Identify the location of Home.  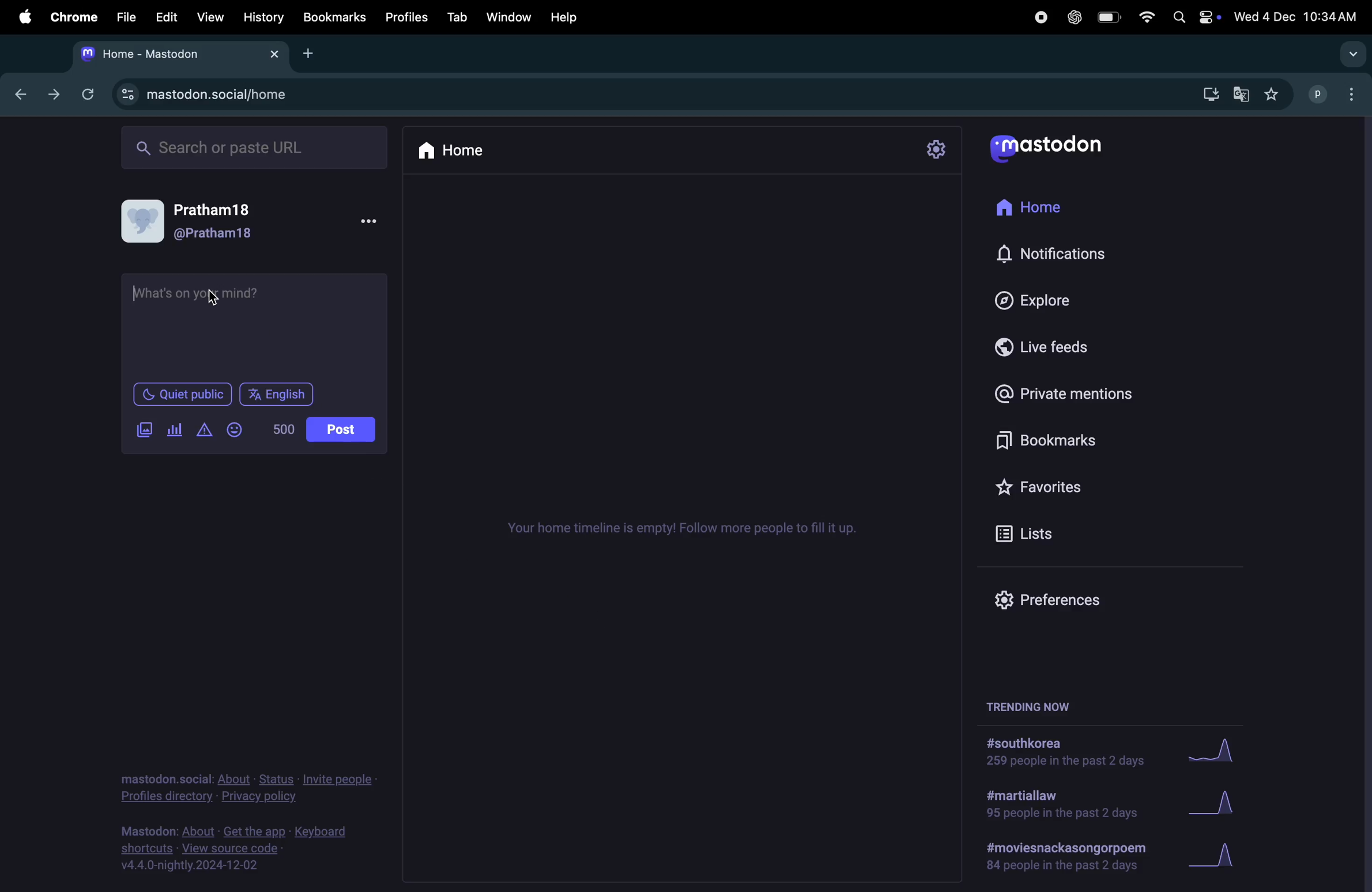
(1039, 209).